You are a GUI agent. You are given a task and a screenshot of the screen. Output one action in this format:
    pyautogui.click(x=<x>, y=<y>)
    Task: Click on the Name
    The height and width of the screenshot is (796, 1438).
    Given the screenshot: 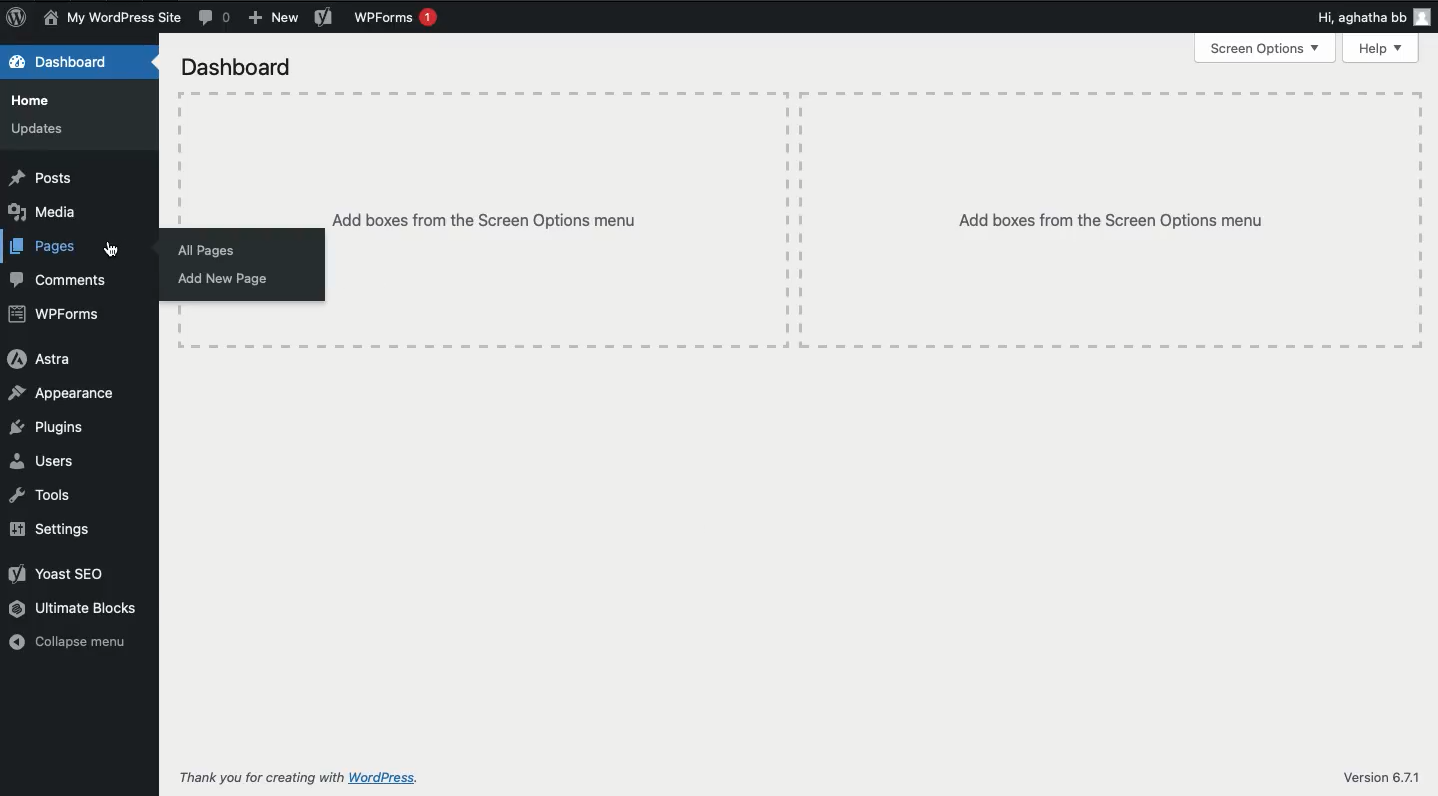 What is the action you would take?
    pyautogui.click(x=110, y=17)
    